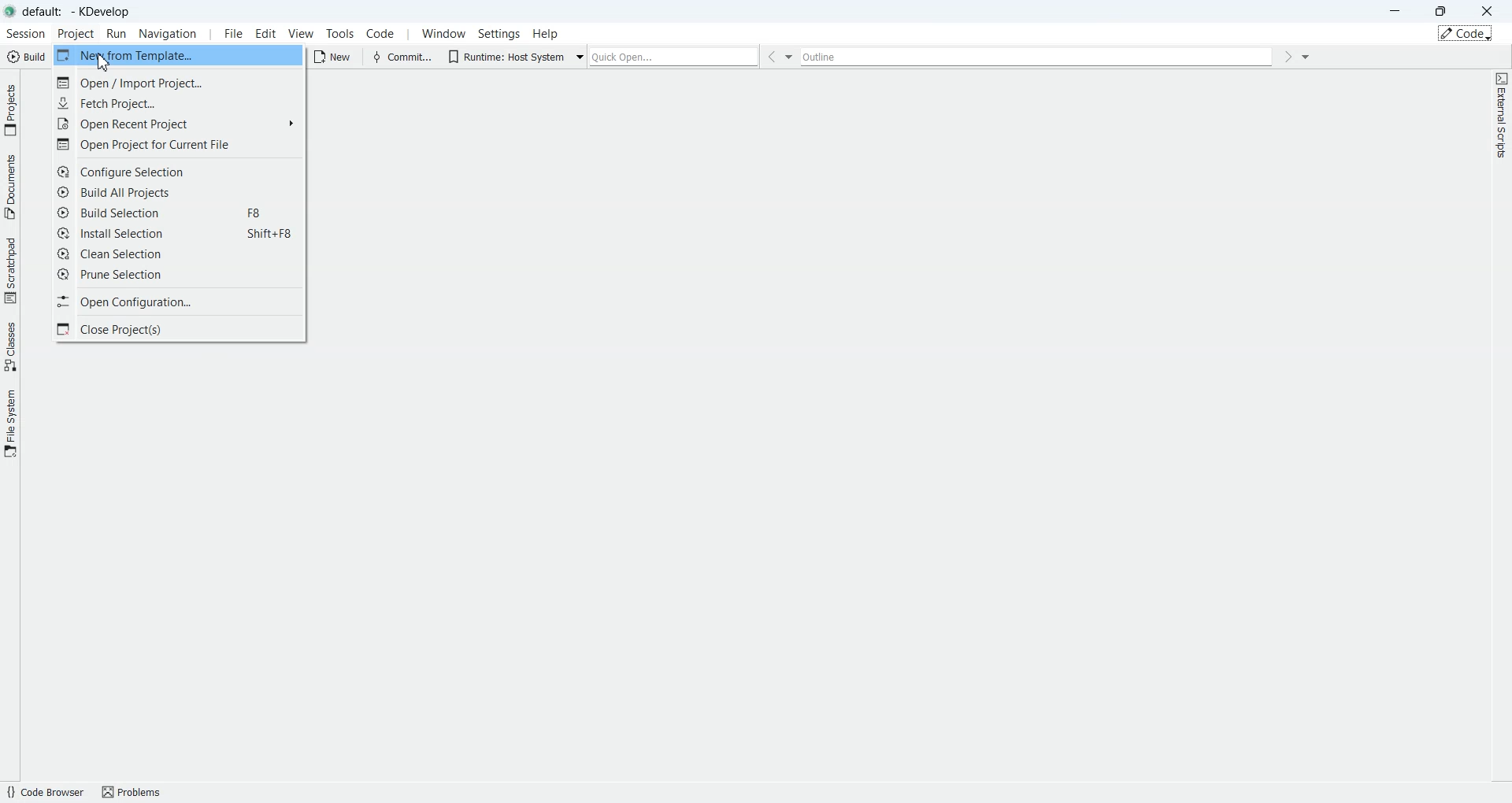  What do you see at coordinates (11, 346) in the screenshot?
I see `Classes` at bounding box center [11, 346].